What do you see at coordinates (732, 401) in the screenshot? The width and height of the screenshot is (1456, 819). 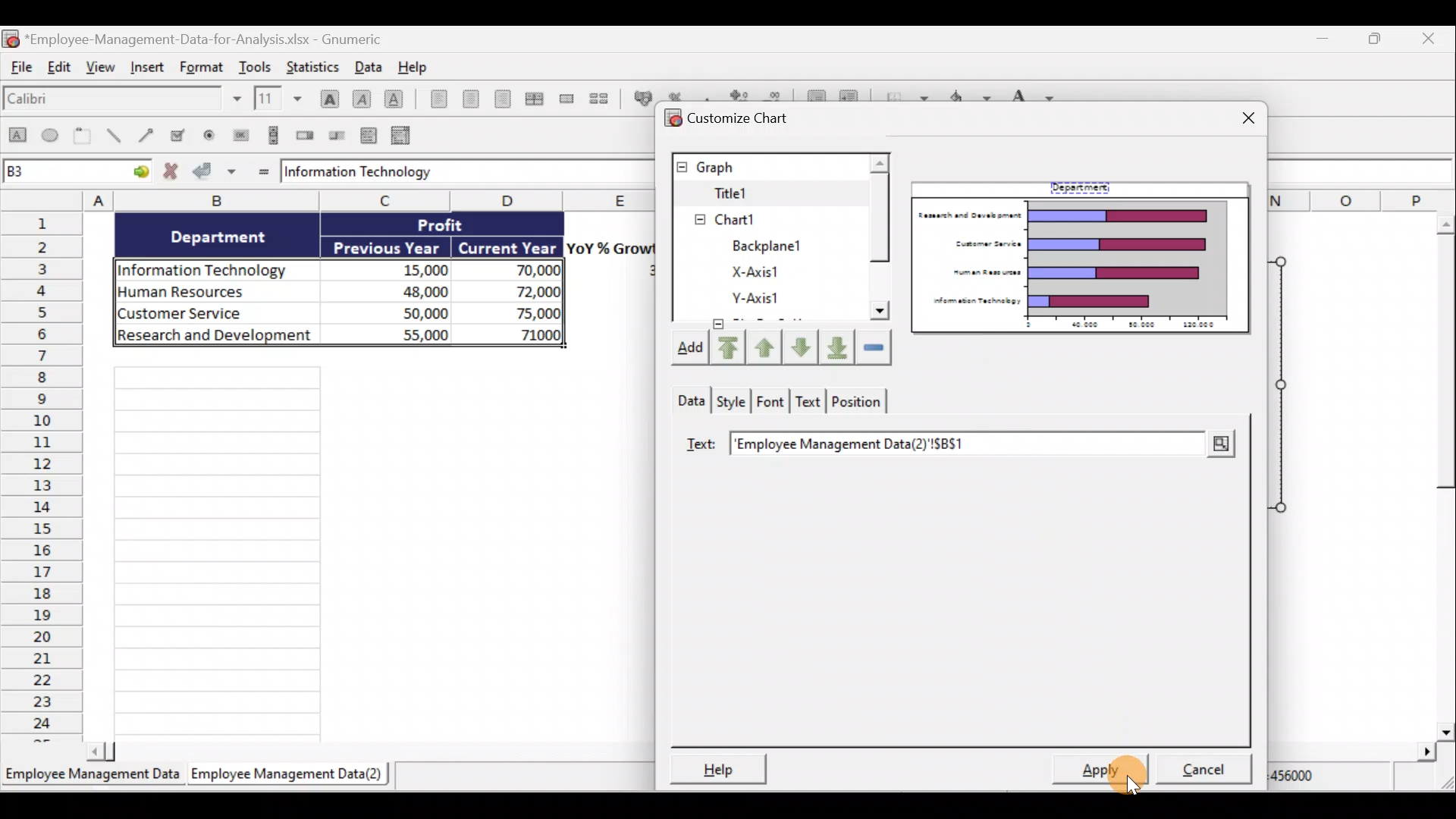 I see `Style` at bounding box center [732, 401].